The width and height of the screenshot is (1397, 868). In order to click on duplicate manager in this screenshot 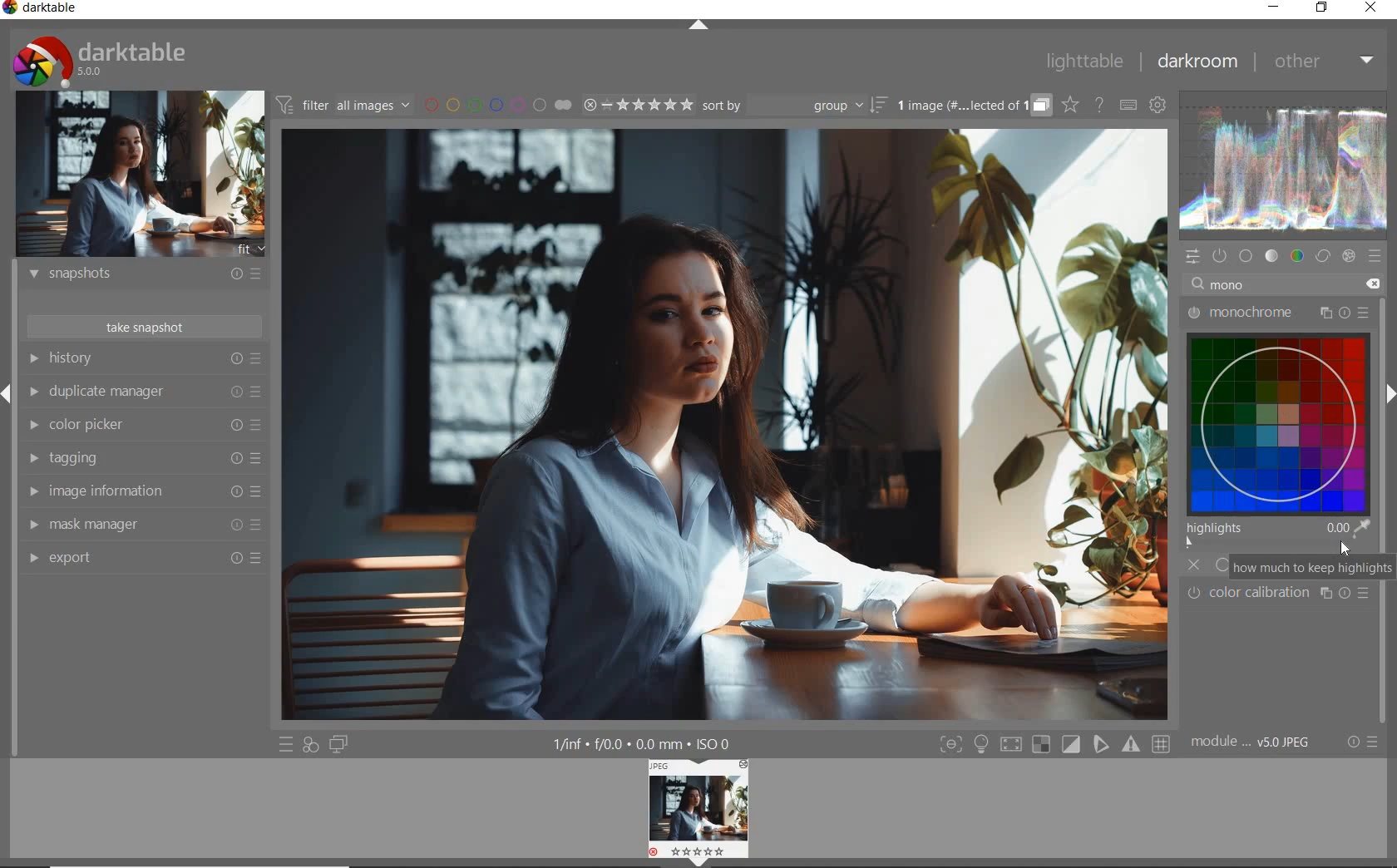, I will do `click(144, 393)`.